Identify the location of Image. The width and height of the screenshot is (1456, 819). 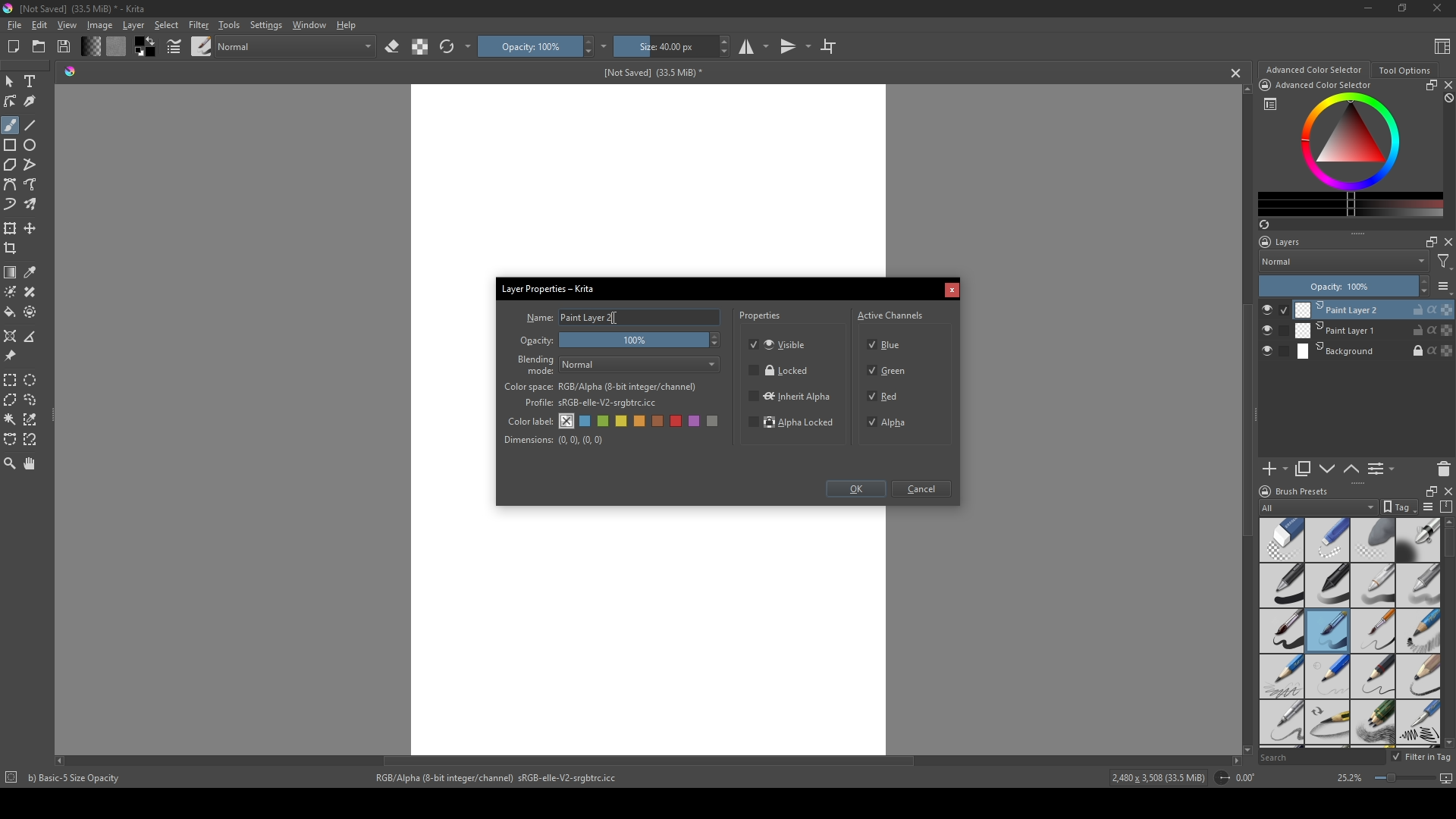
(99, 25).